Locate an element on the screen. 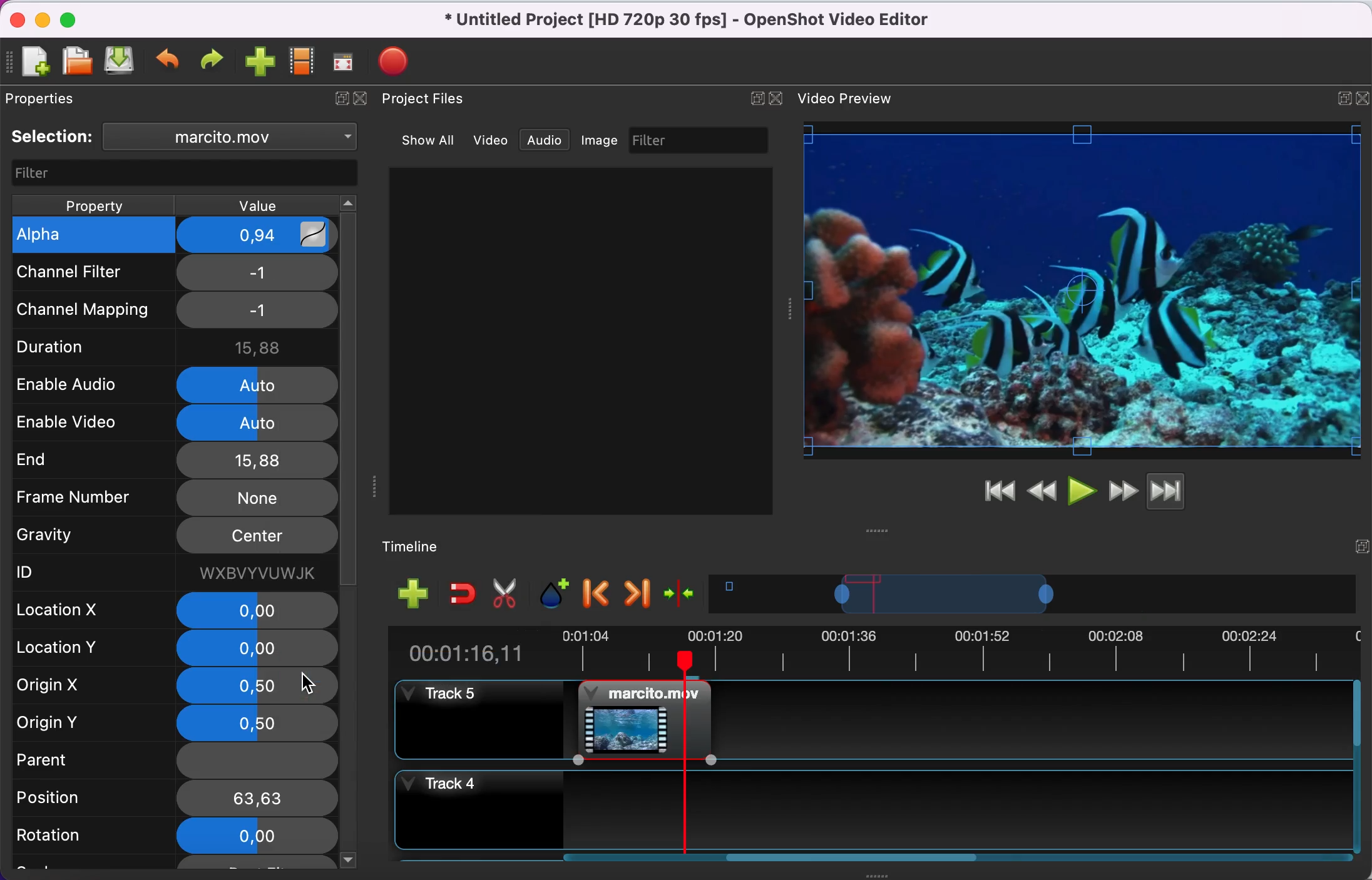  move is located at coordinates (788, 309).